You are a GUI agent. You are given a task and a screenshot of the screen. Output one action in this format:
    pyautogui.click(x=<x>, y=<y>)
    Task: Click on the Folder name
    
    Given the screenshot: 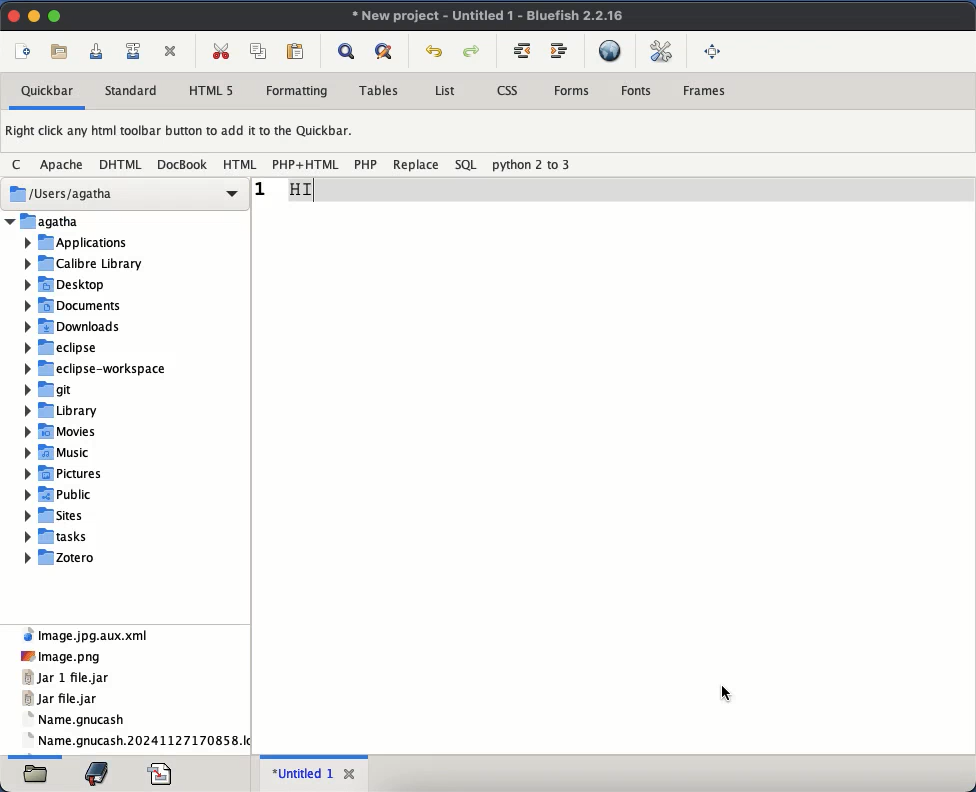 What is the action you would take?
    pyautogui.click(x=69, y=221)
    